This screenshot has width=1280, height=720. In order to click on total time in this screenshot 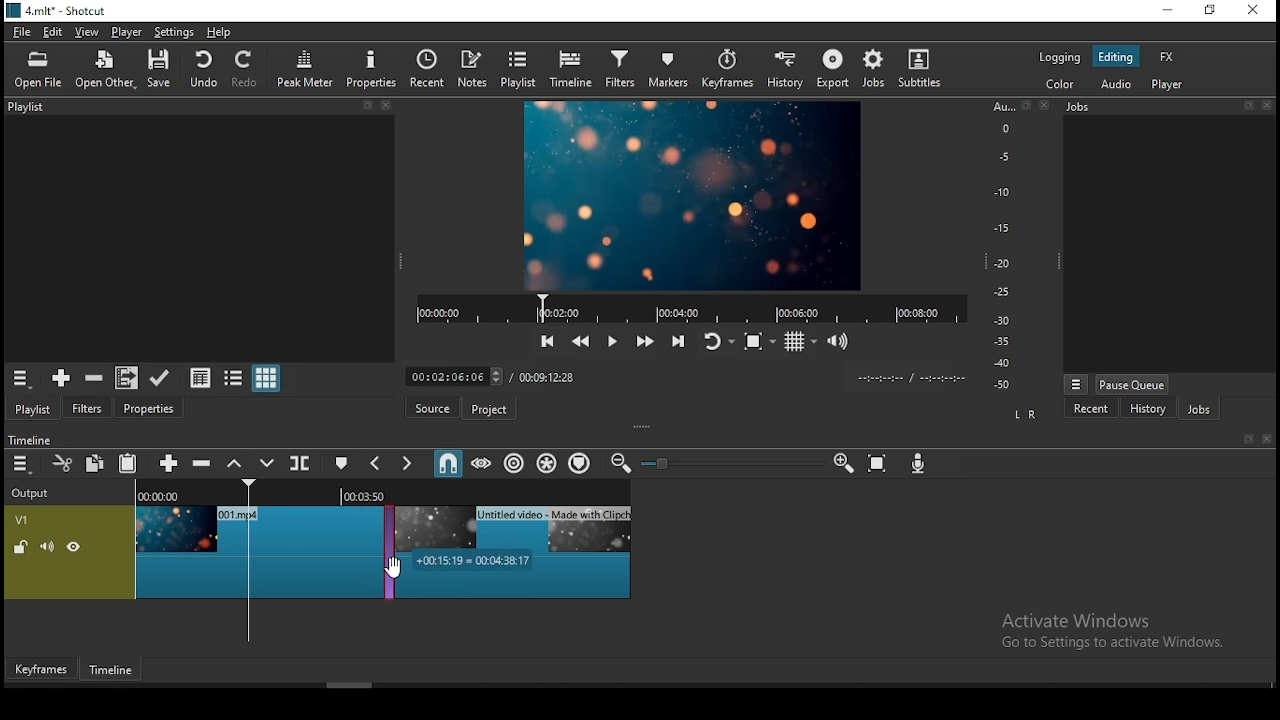, I will do `click(549, 378)`.